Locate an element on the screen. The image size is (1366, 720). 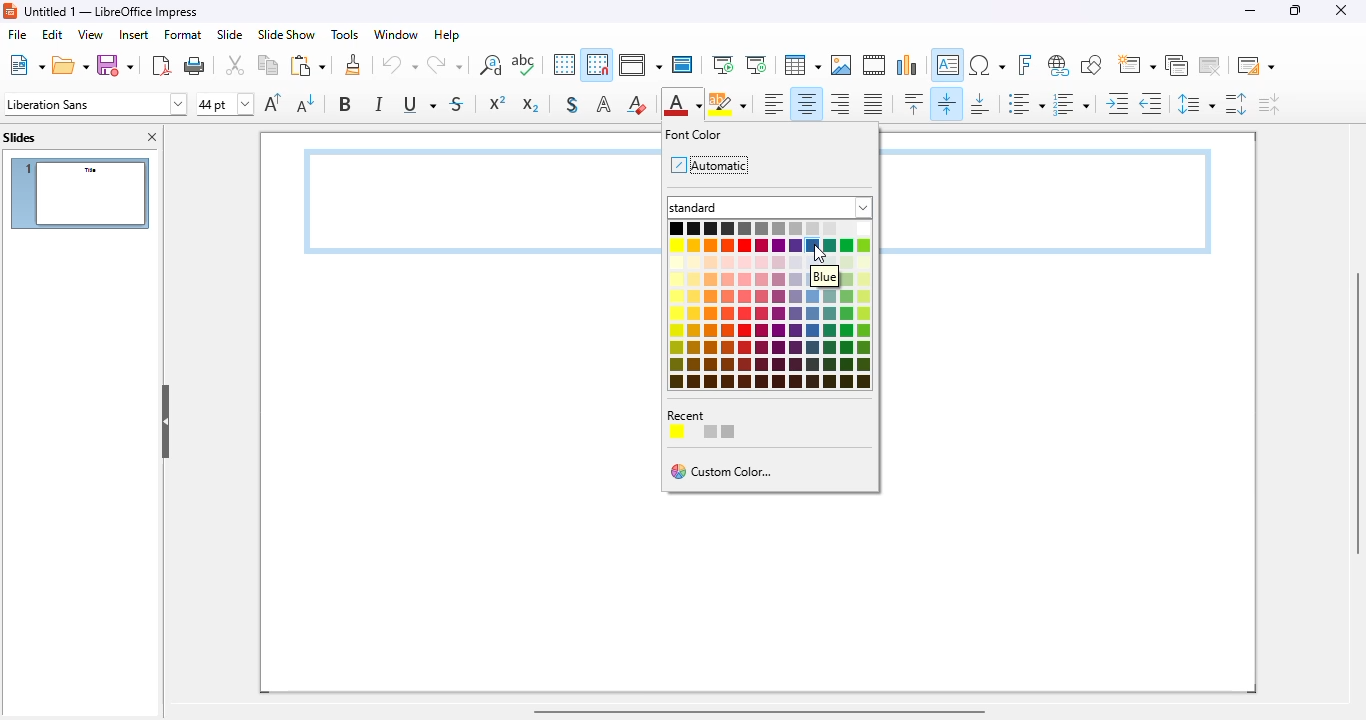
align center is located at coordinates (806, 104).